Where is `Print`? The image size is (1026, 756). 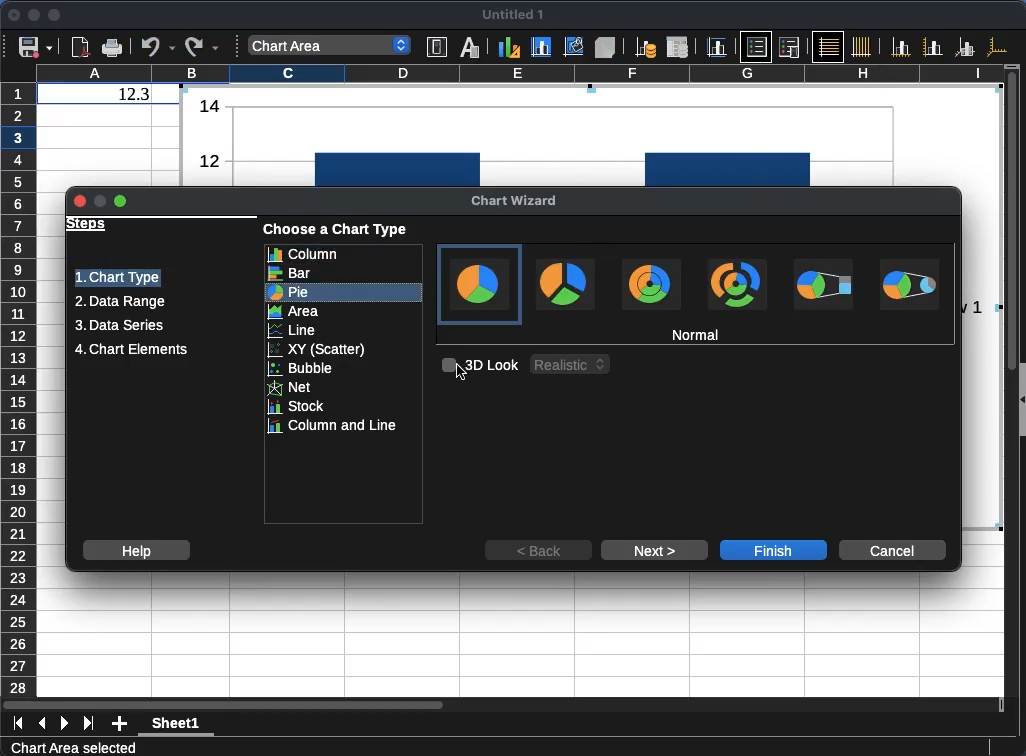 Print is located at coordinates (112, 48).